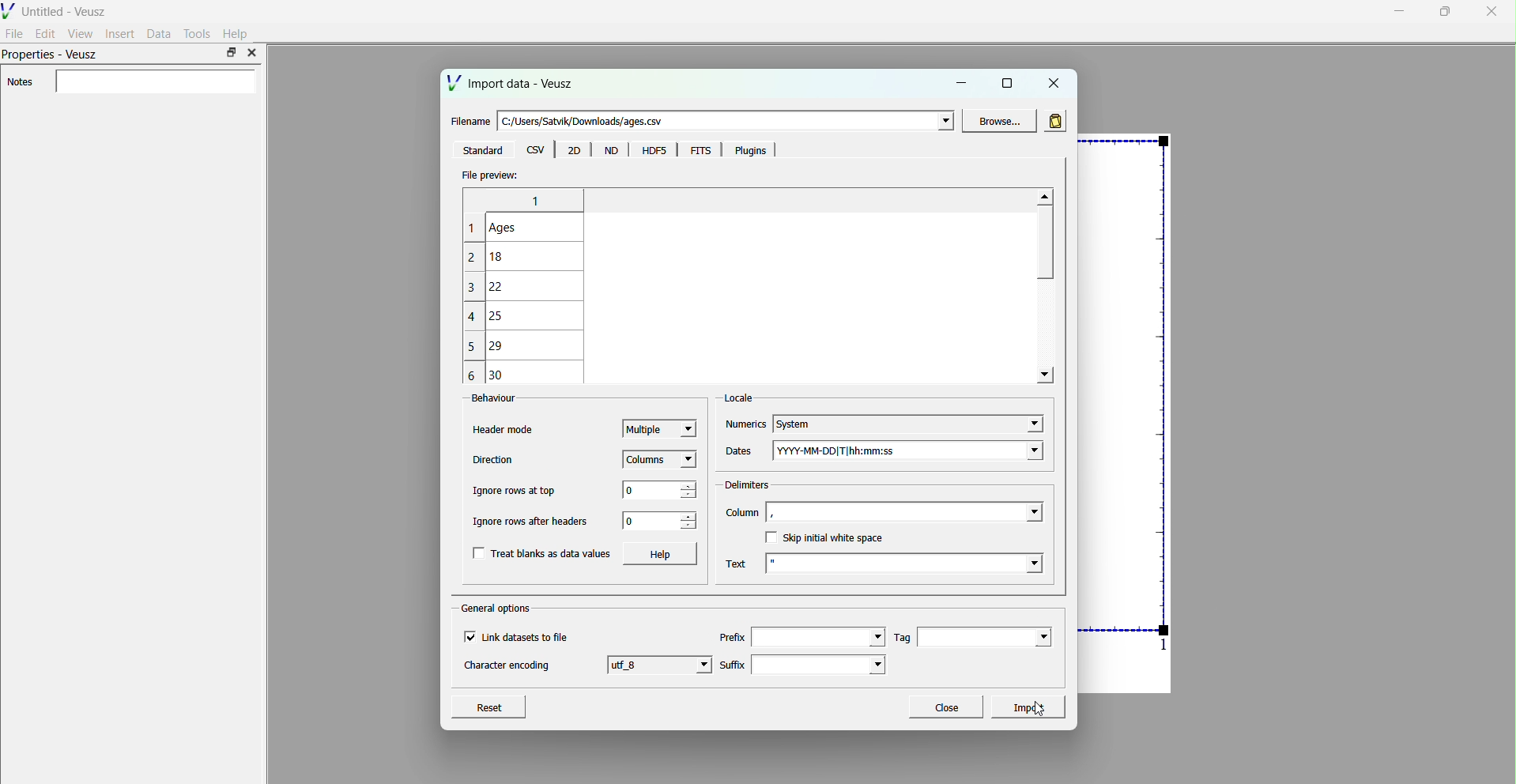  What do you see at coordinates (488, 705) in the screenshot?
I see `Reset` at bounding box center [488, 705].